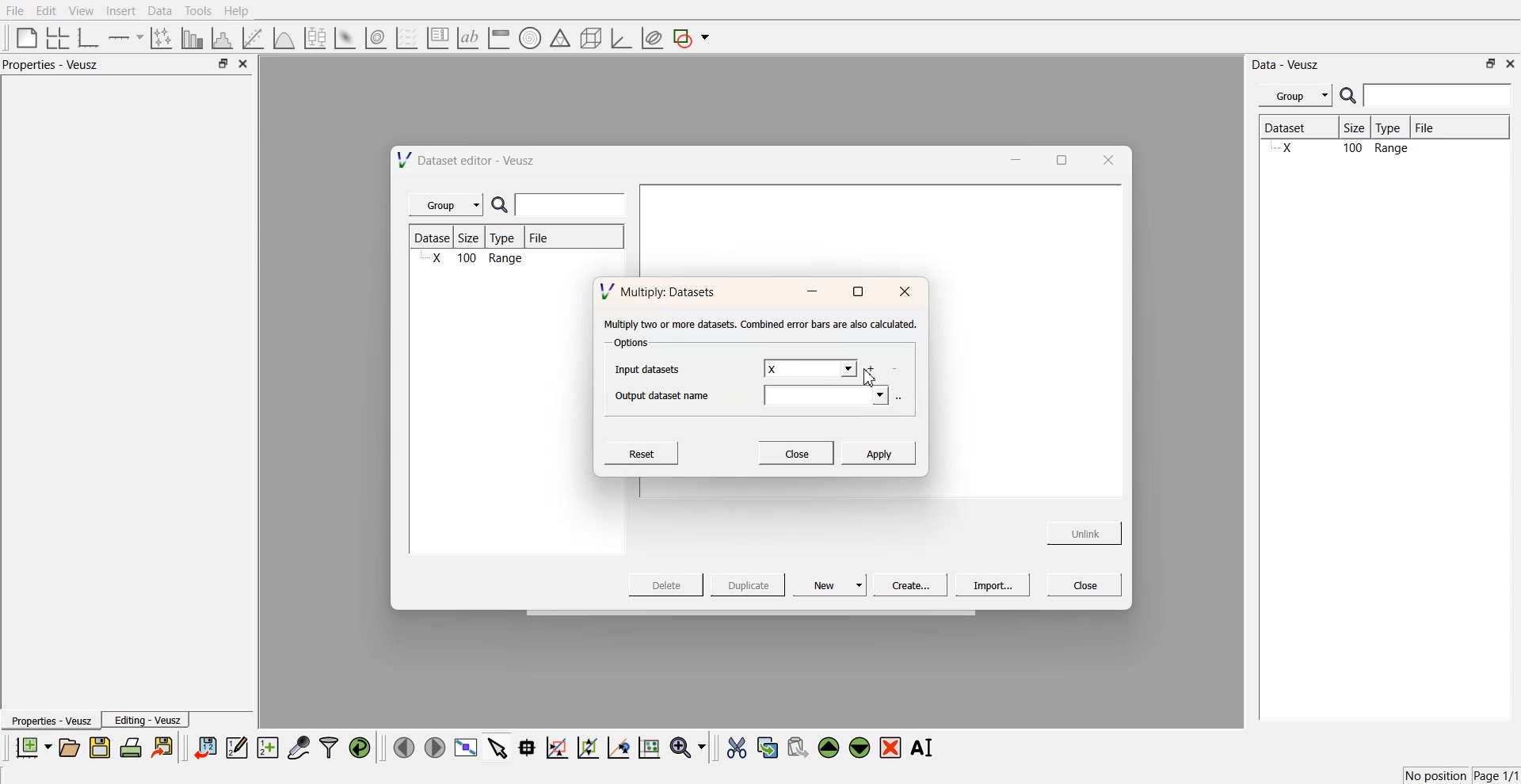 The height and width of the screenshot is (784, 1521). I want to click on move the selected widgets up, so click(830, 748).